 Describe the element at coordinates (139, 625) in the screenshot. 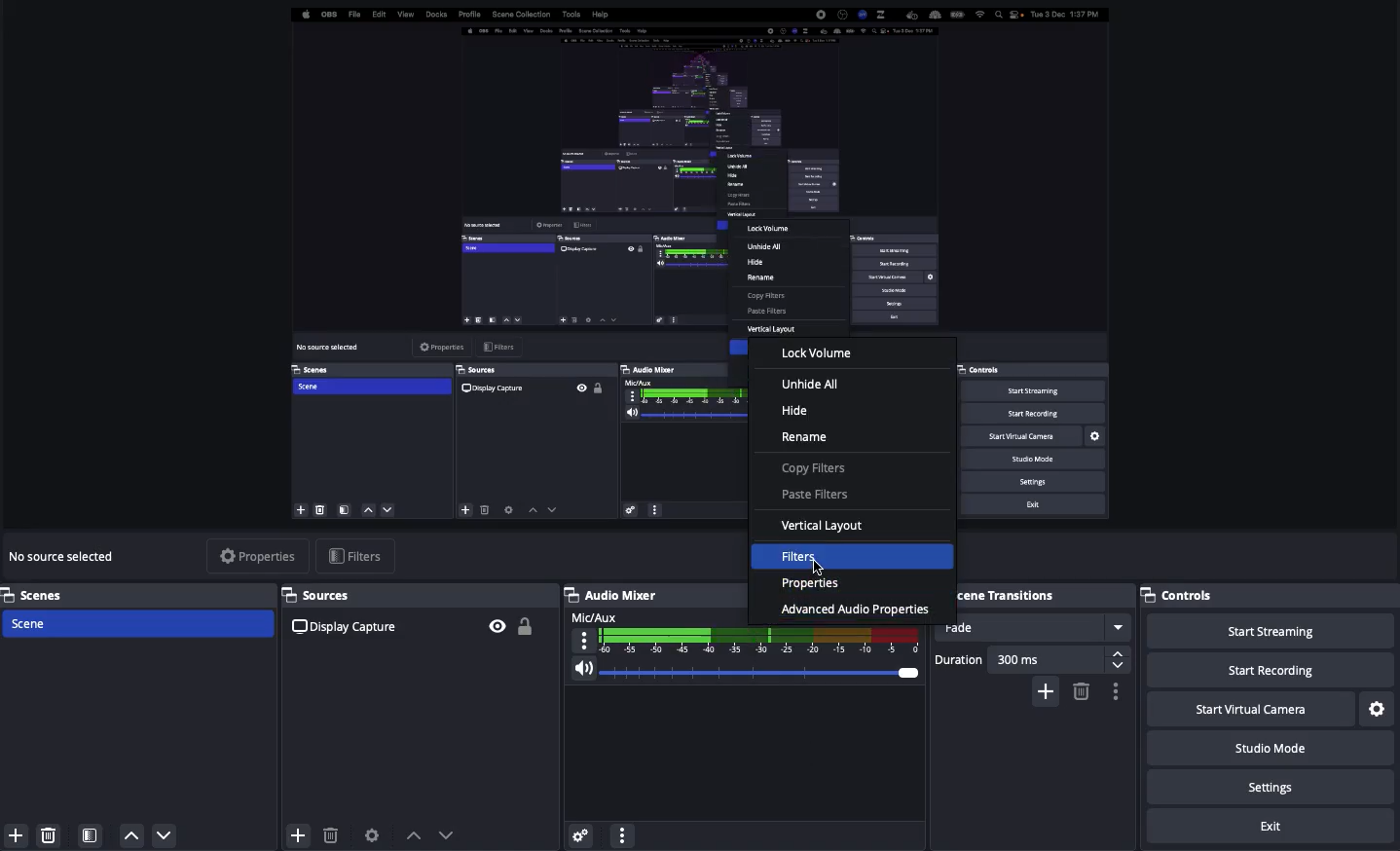

I see `Scene` at that location.